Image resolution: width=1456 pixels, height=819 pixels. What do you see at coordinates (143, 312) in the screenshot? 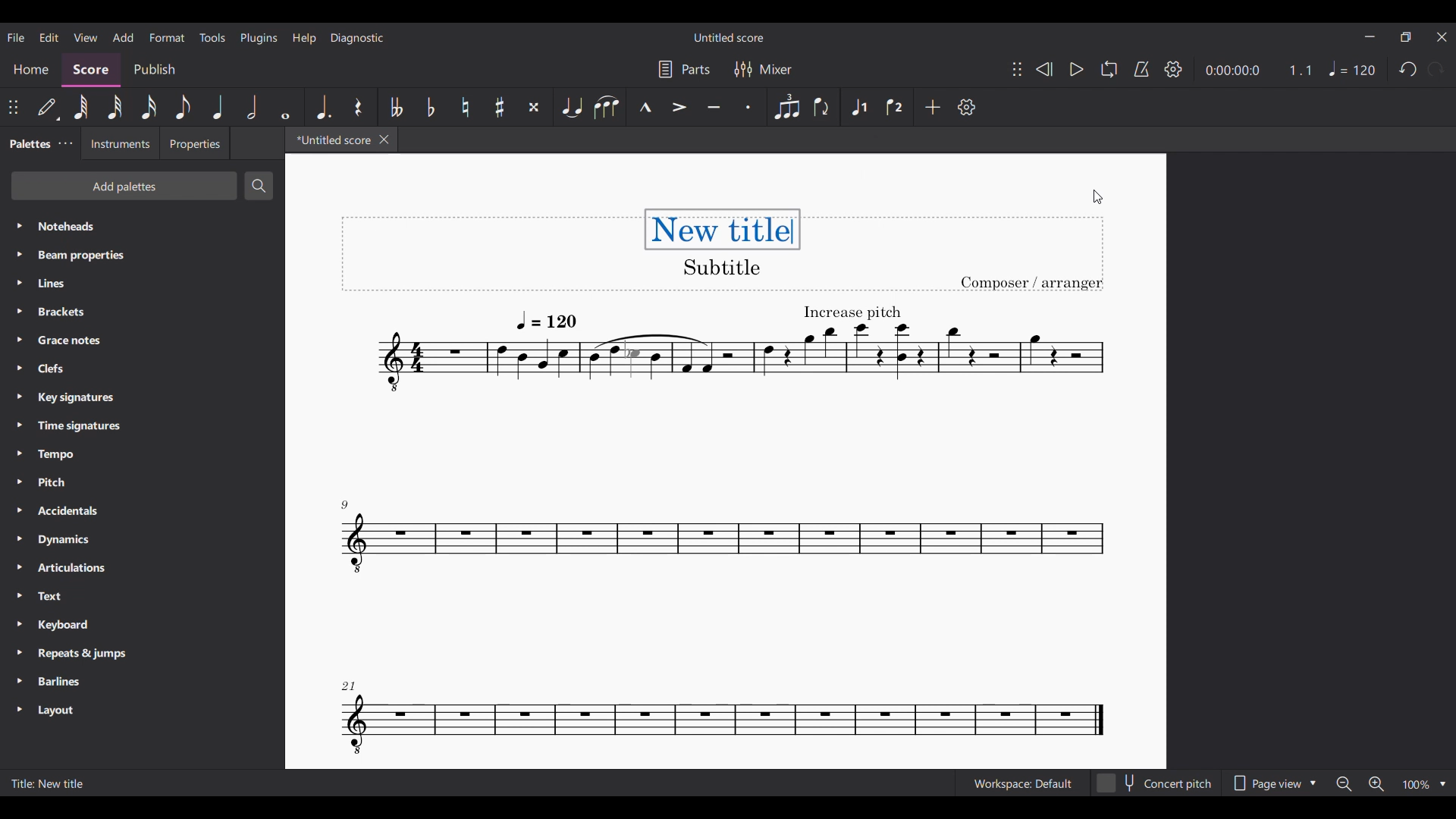
I see `Brackets` at bounding box center [143, 312].